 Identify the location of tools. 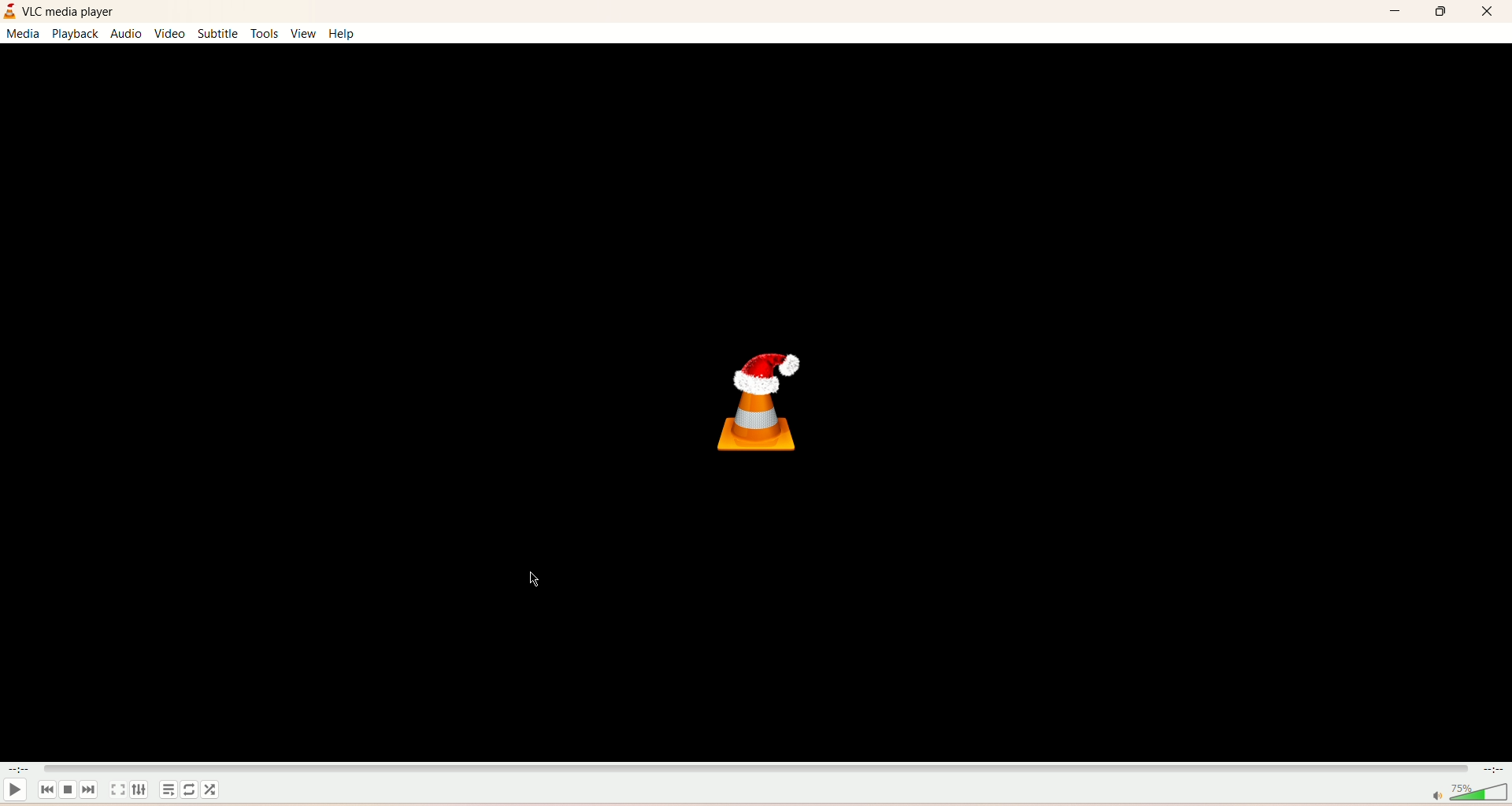
(263, 33).